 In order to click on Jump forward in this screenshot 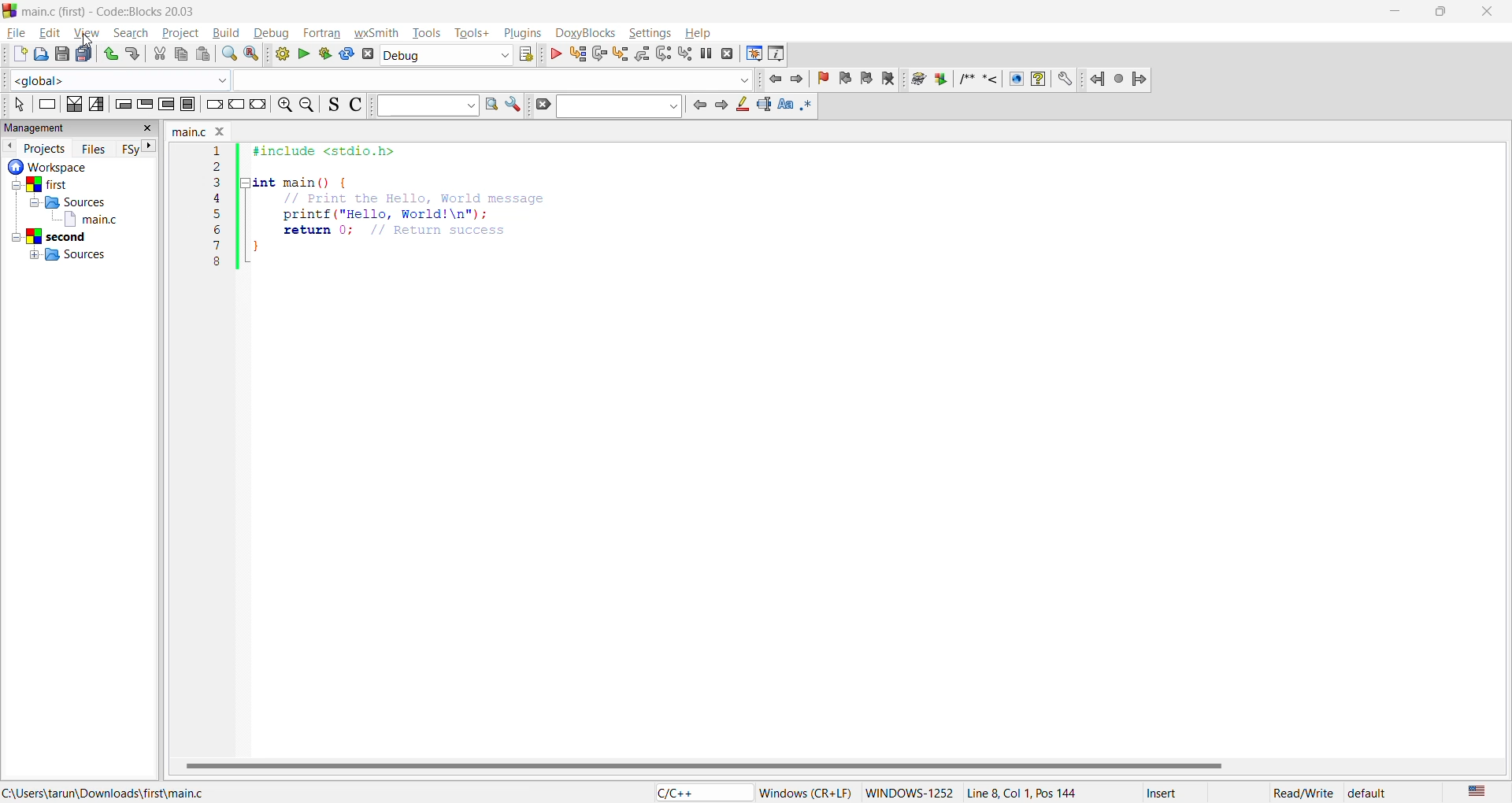, I will do `click(1140, 79)`.